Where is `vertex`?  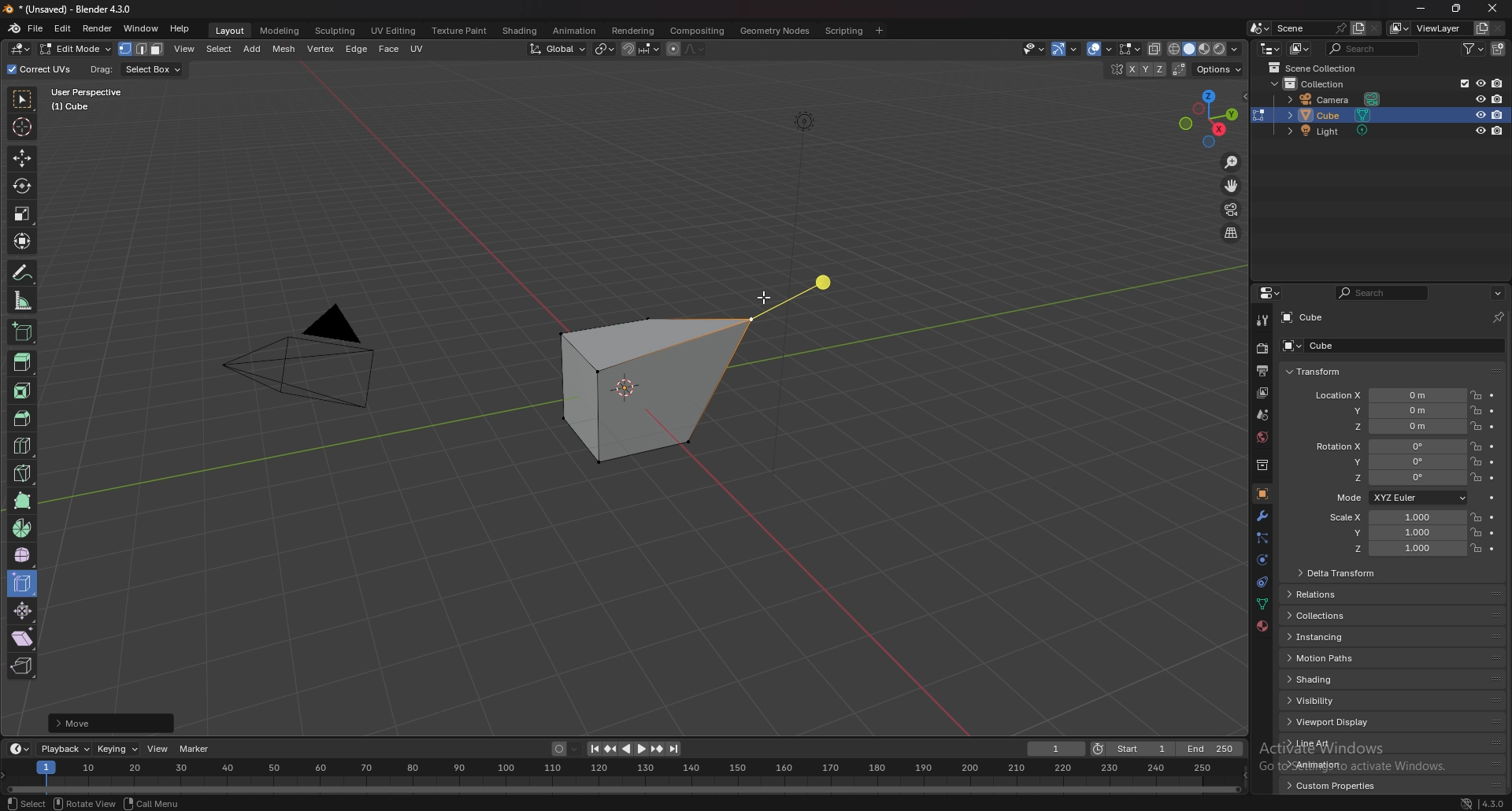
vertex is located at coordinates (321, 50).